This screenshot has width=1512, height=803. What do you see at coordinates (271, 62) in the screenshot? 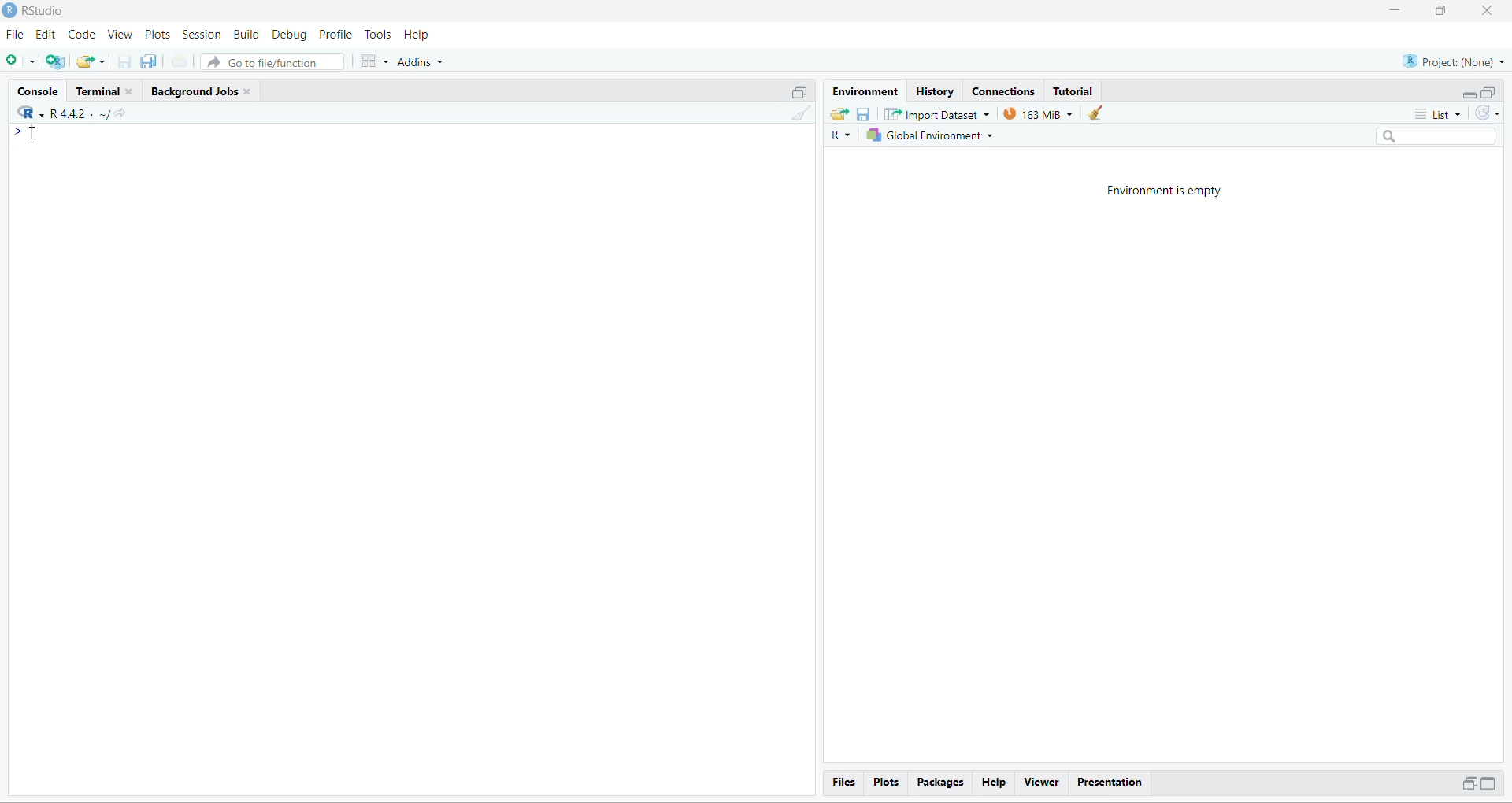
I see `Go to file/function` at bounding box center [271, 62].